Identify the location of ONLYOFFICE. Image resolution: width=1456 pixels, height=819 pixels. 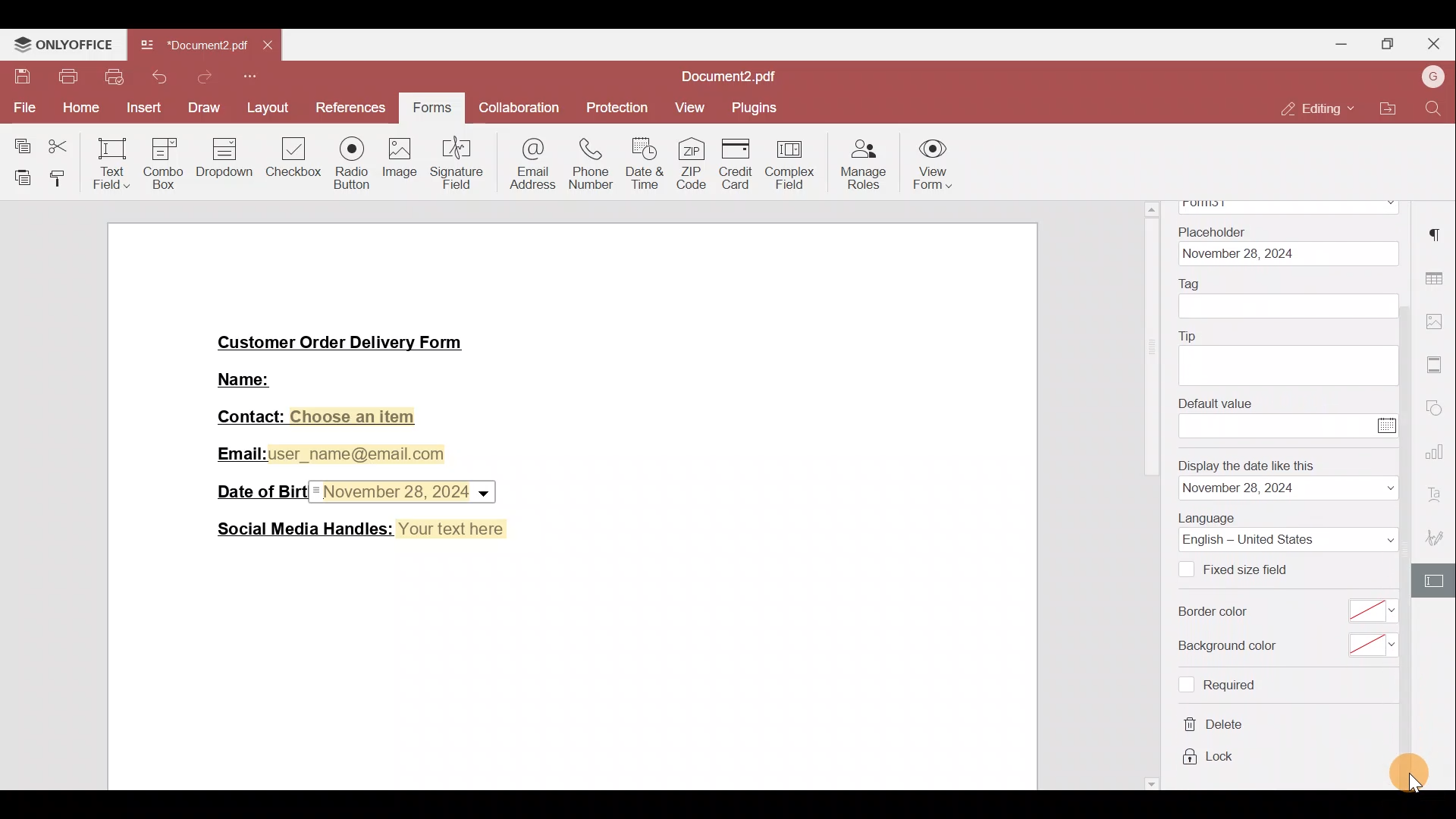
(63, 42).